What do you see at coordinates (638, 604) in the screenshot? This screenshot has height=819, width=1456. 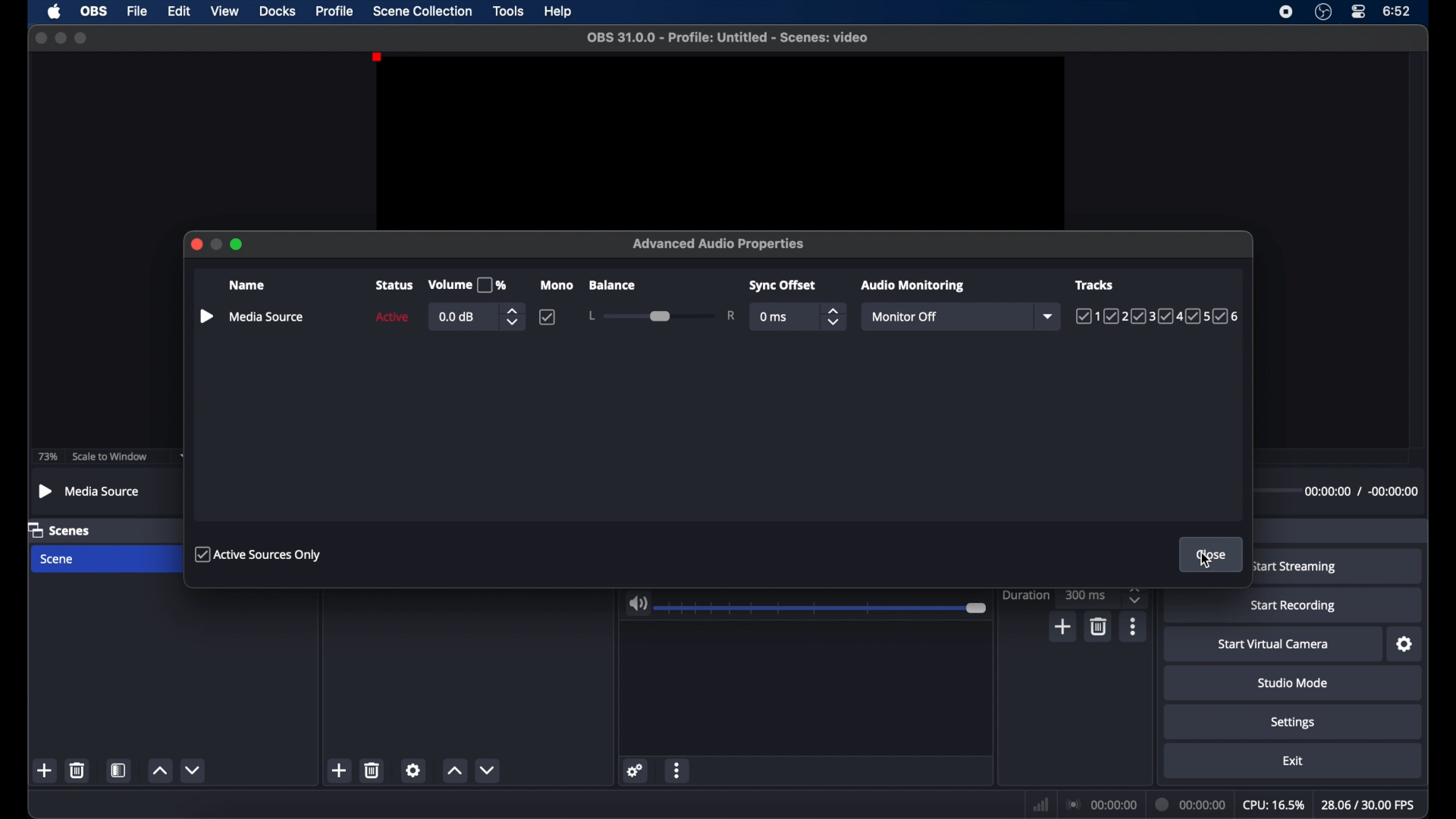 I see `volume` at bounding box center [638, 604].